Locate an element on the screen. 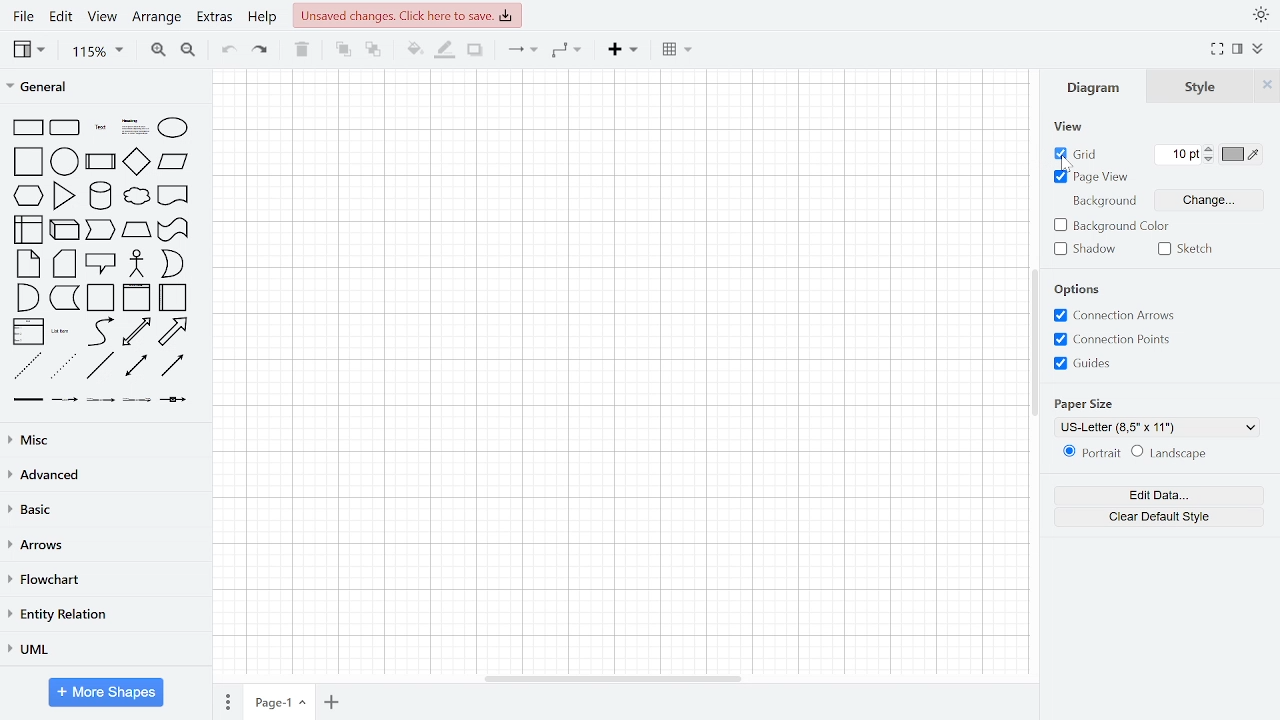 The width and height of the screenshot is (1280, 720). arrange is located at coordinates (159, 17).